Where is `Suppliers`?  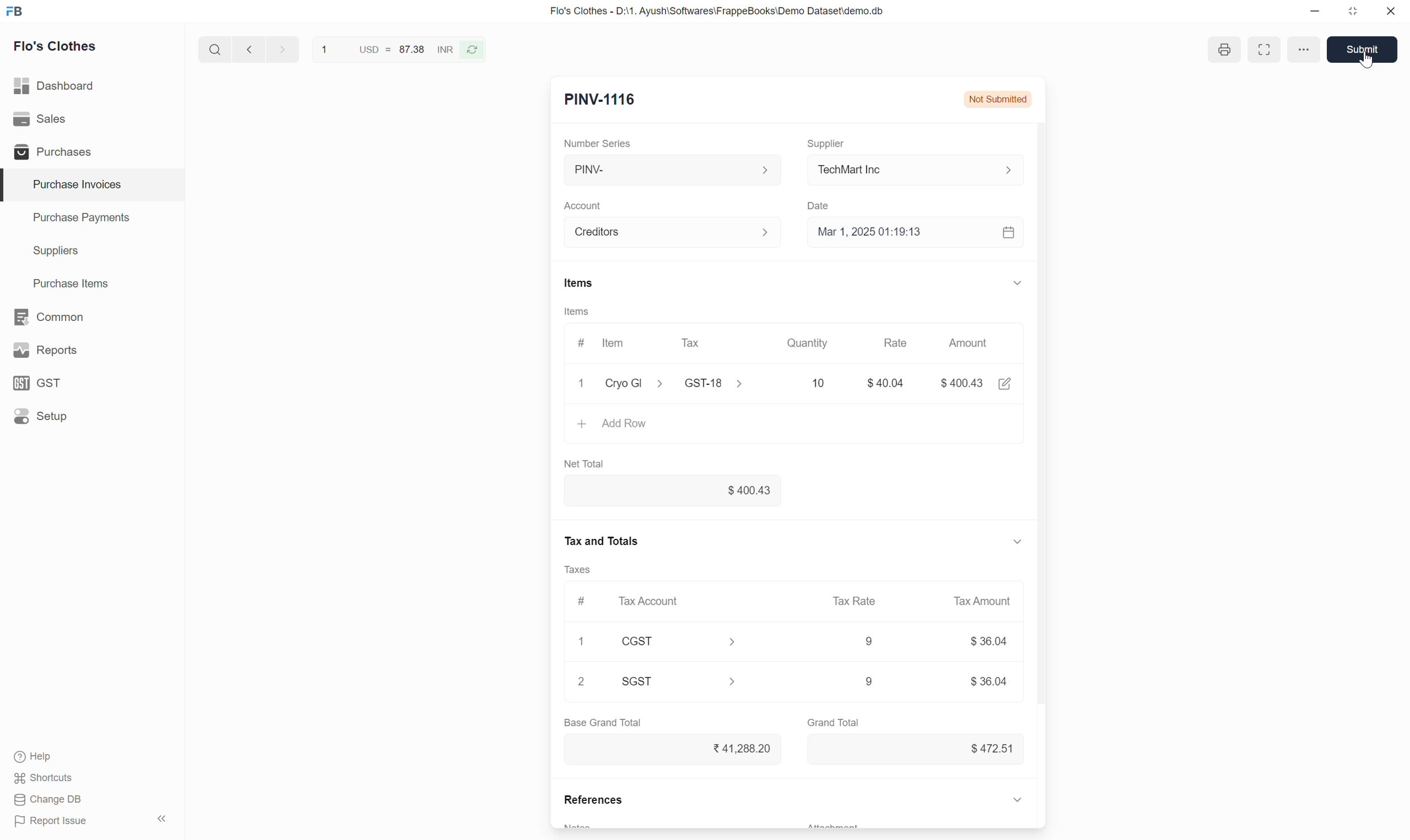
Suppliers is located at coordinates (48, 251).